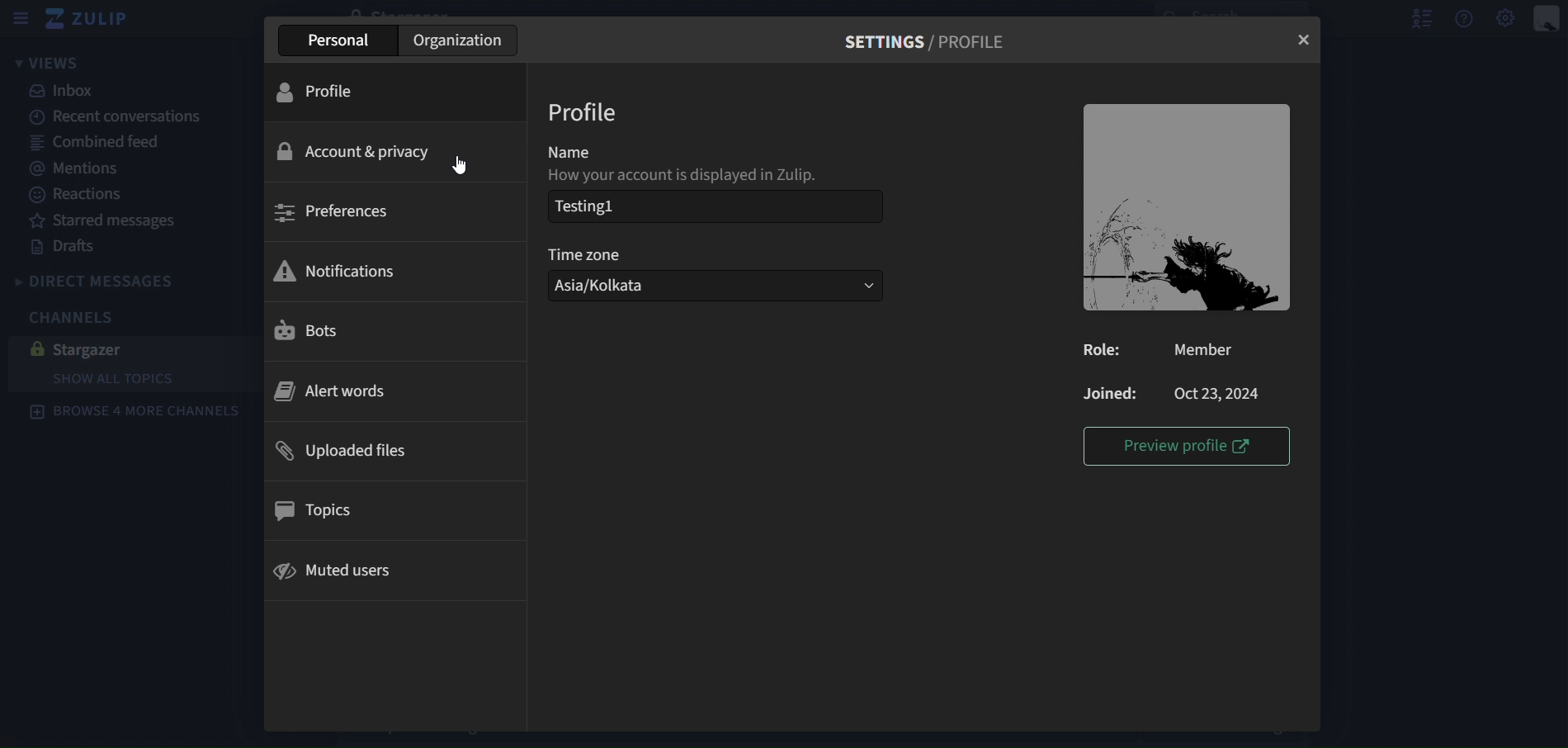 The image size is (1568, 748). I want to click on show all topics, so click(130, 378).